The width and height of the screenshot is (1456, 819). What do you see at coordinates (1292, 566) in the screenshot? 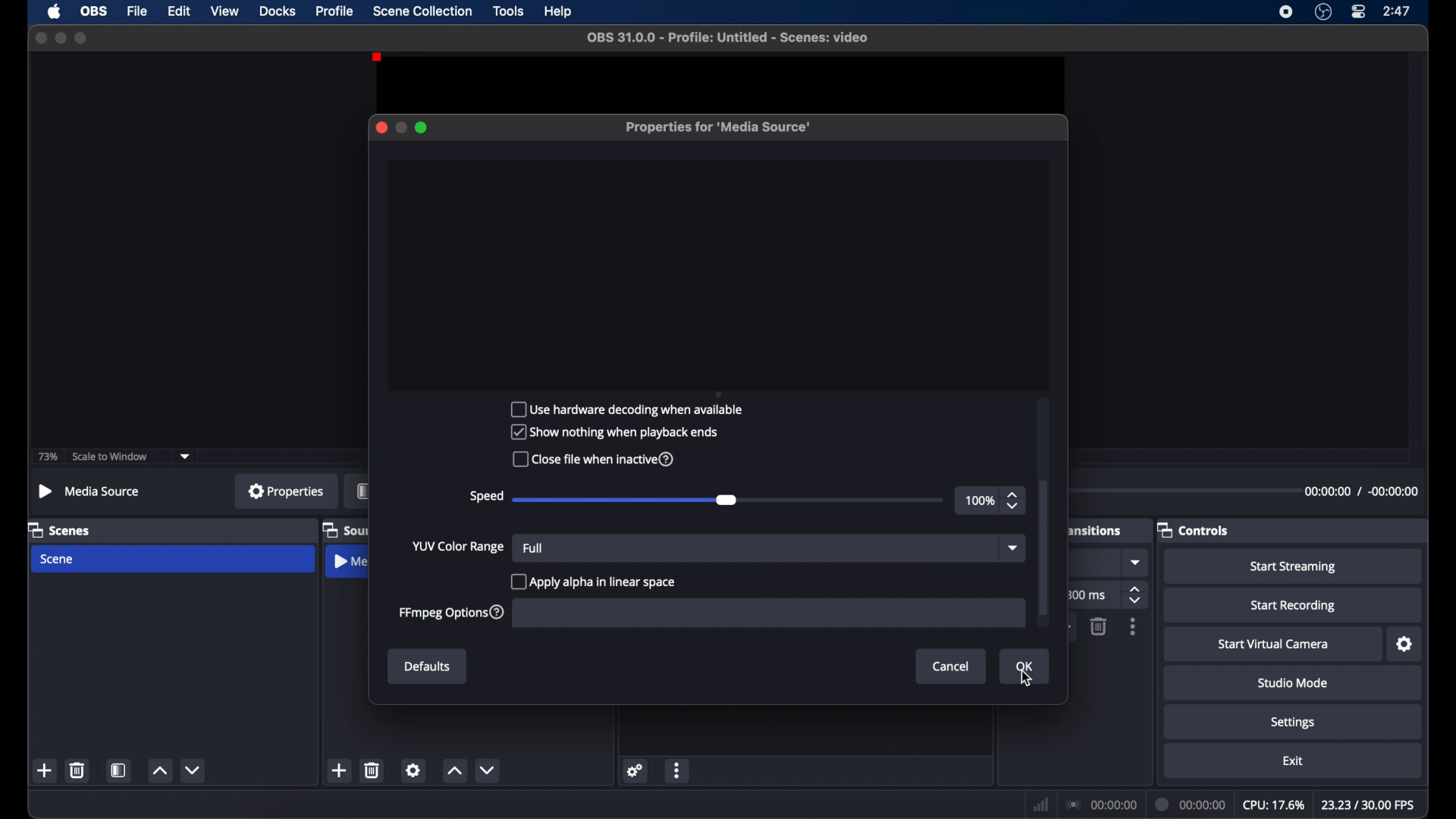
I see `start streaming` at bounding box center [1292, 566].